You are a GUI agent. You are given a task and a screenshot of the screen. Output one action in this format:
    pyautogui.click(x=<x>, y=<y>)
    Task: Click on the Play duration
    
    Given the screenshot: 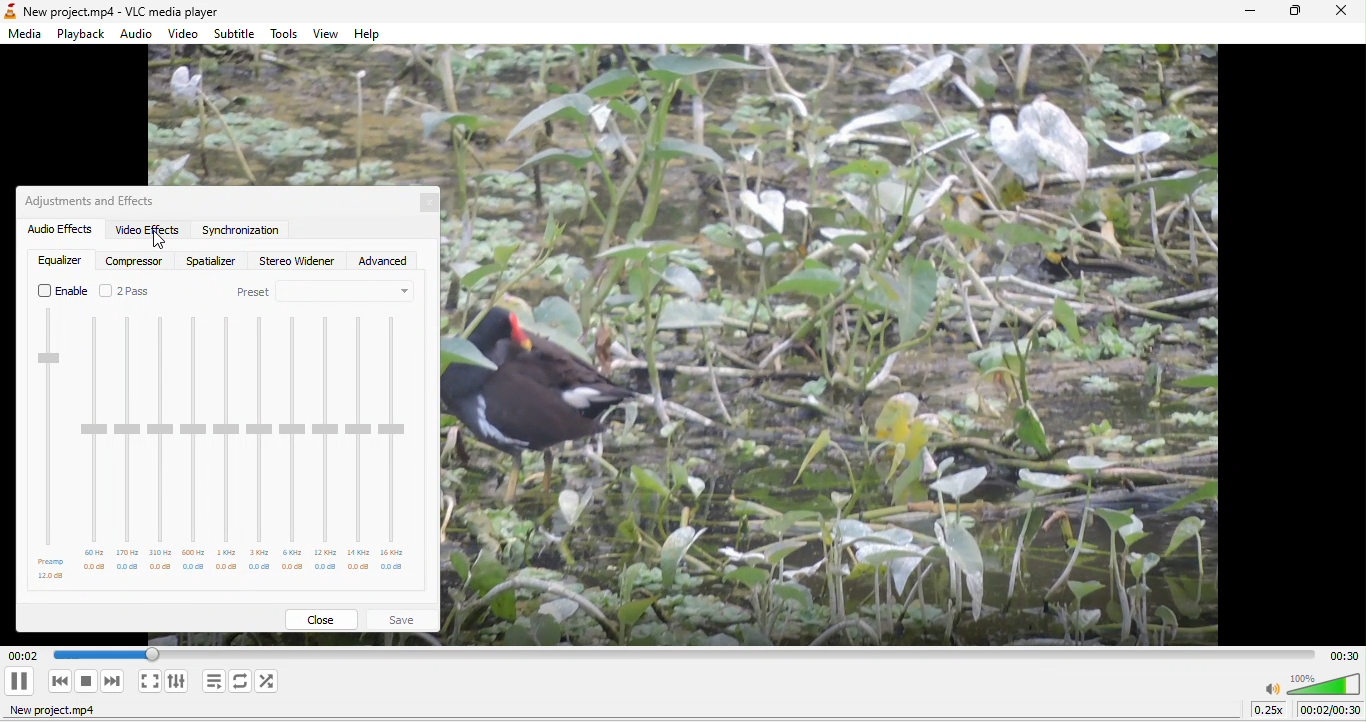 What is the action you would take?
    pyautogui.click(x=1341, y=655)
    